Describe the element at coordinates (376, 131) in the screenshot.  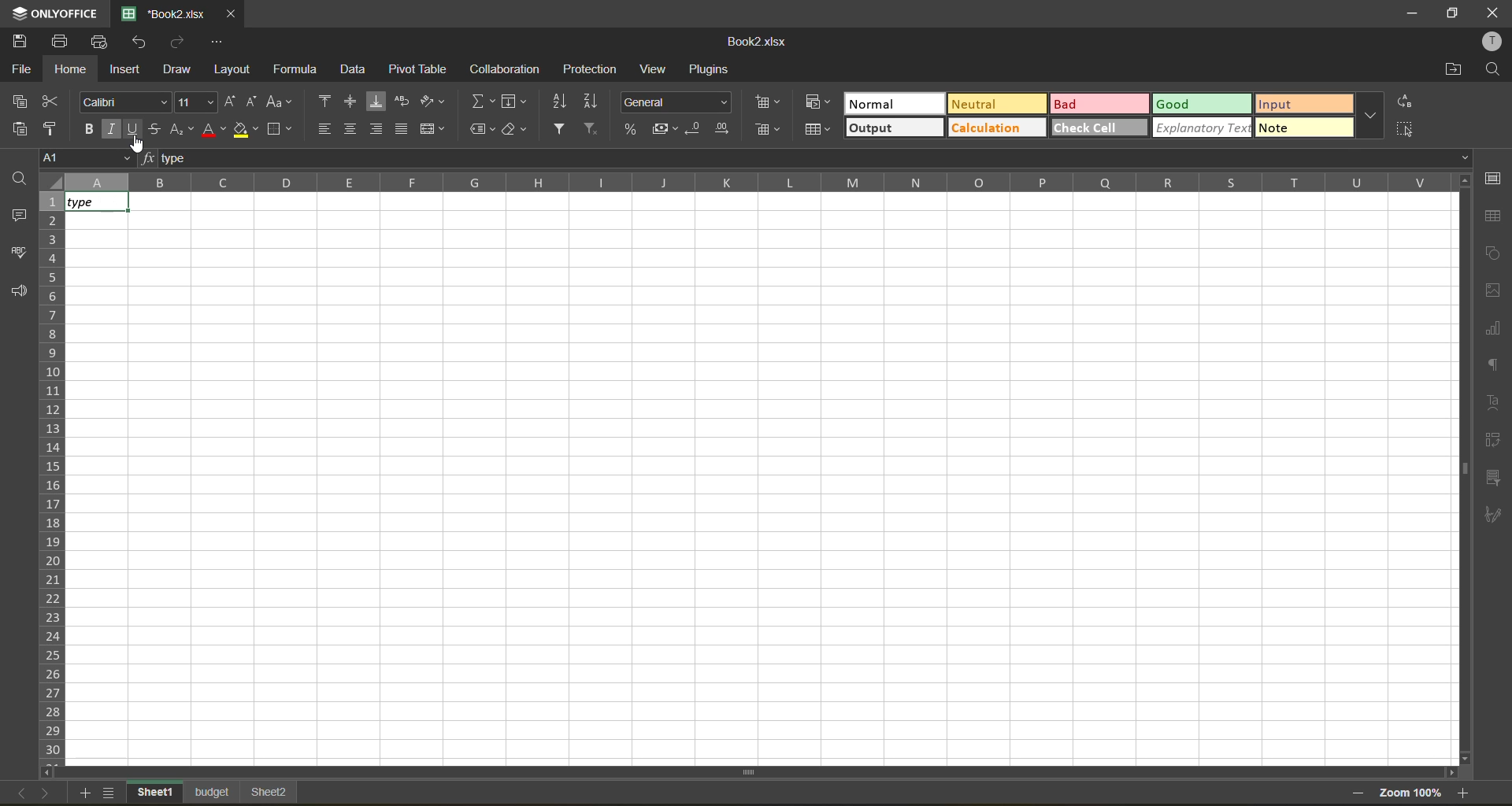
I see `align right` at that location.